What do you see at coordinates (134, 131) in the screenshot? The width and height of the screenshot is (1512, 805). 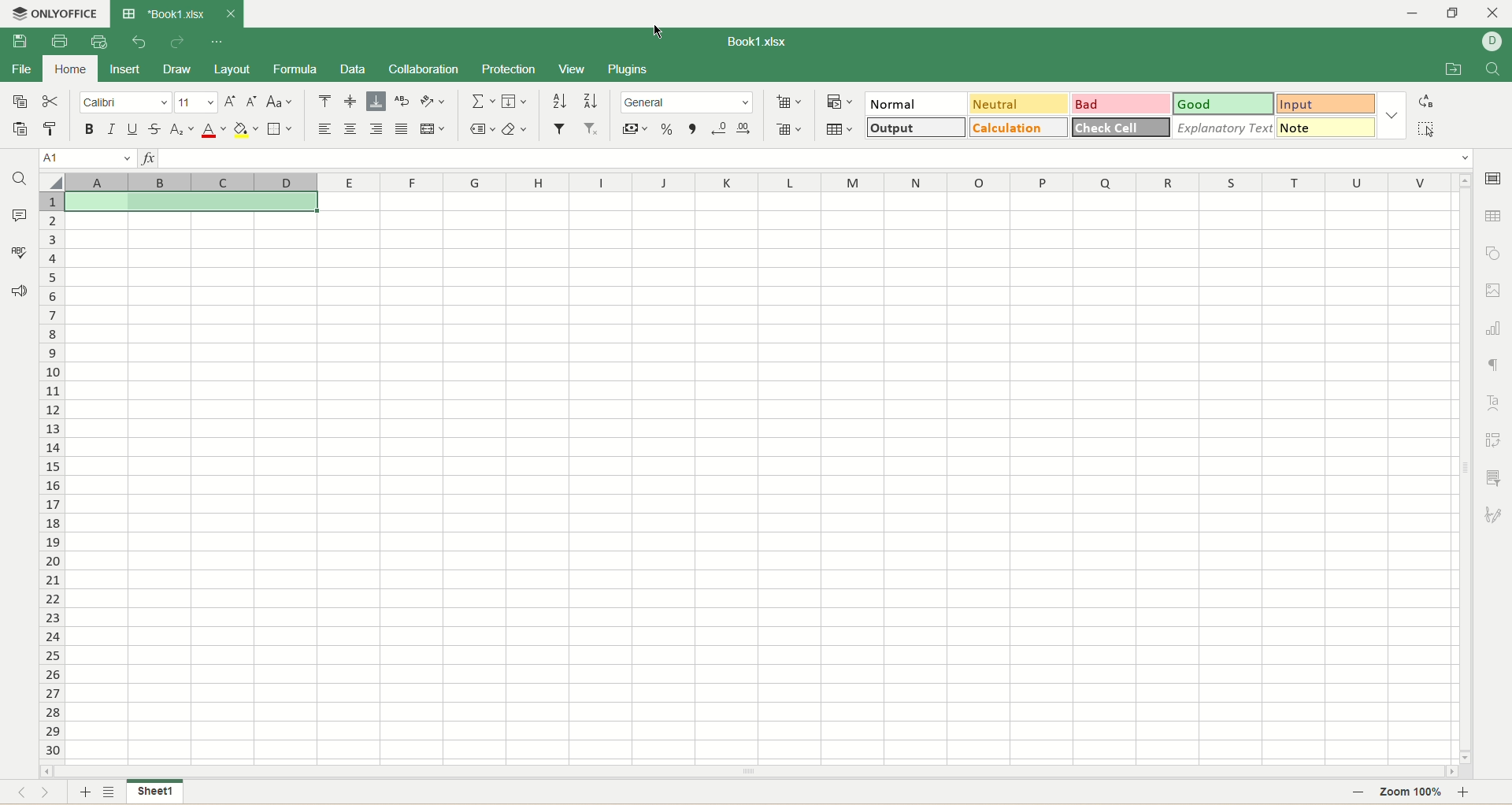 I see `underline` at bounding box center [134, 131].